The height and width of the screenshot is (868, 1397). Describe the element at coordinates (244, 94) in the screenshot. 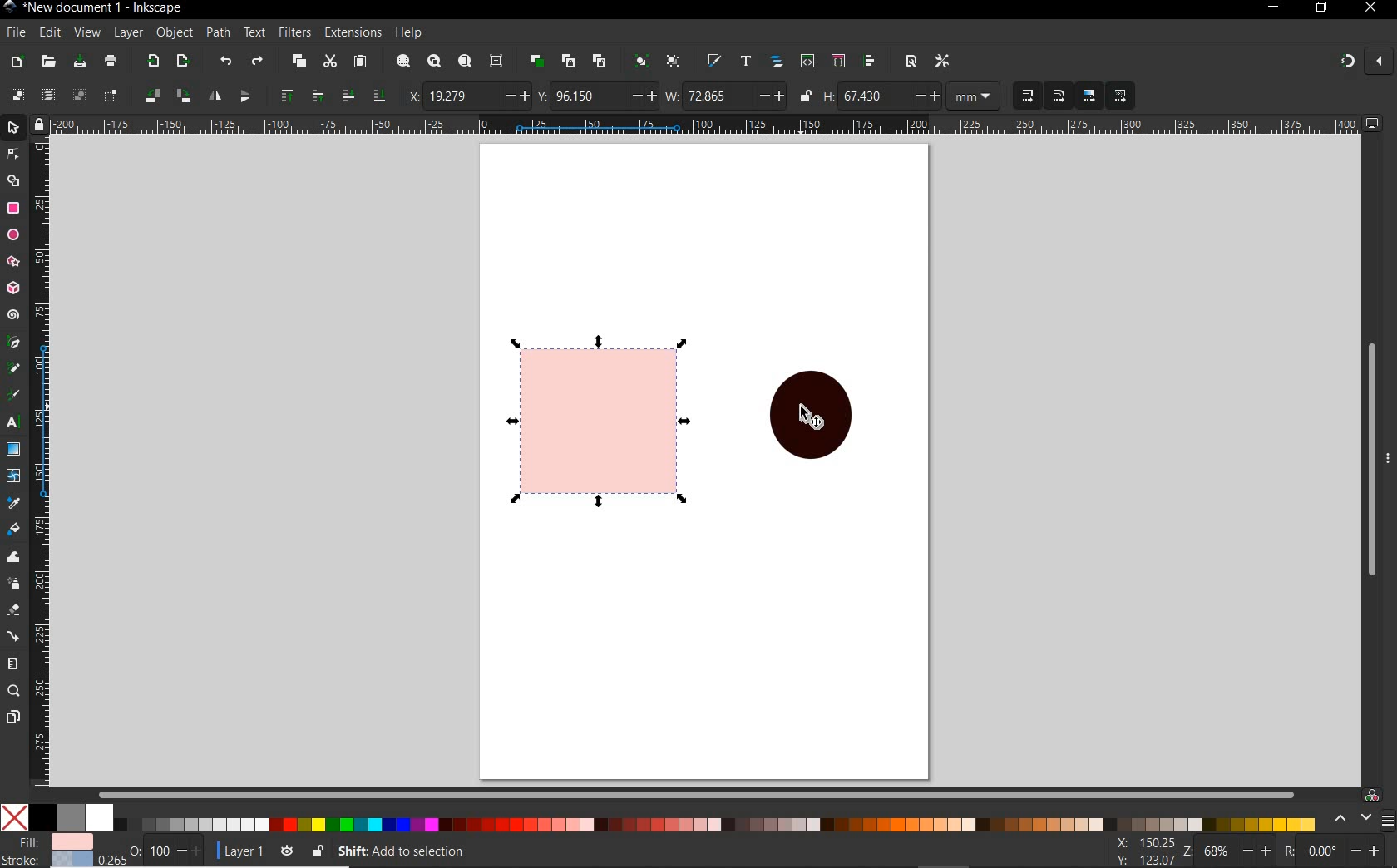

I see `object flip vertical` at that location.